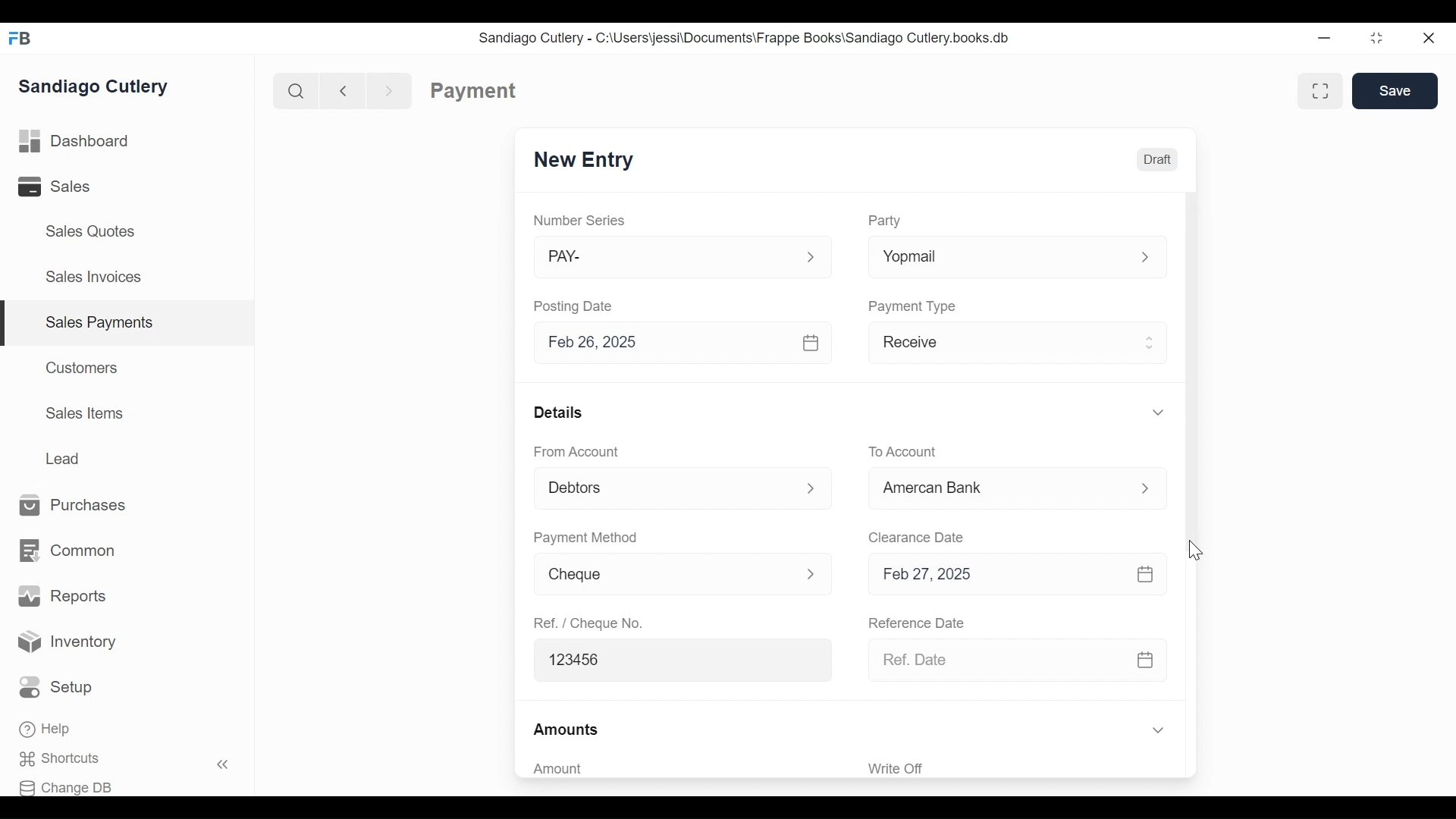 The width and height of the screenshot is (1456, 819). What do you see at coordinates (663, 343) in the screenshot?
I see `Feb 26, 2025 ` at bounding box center [663, 343].